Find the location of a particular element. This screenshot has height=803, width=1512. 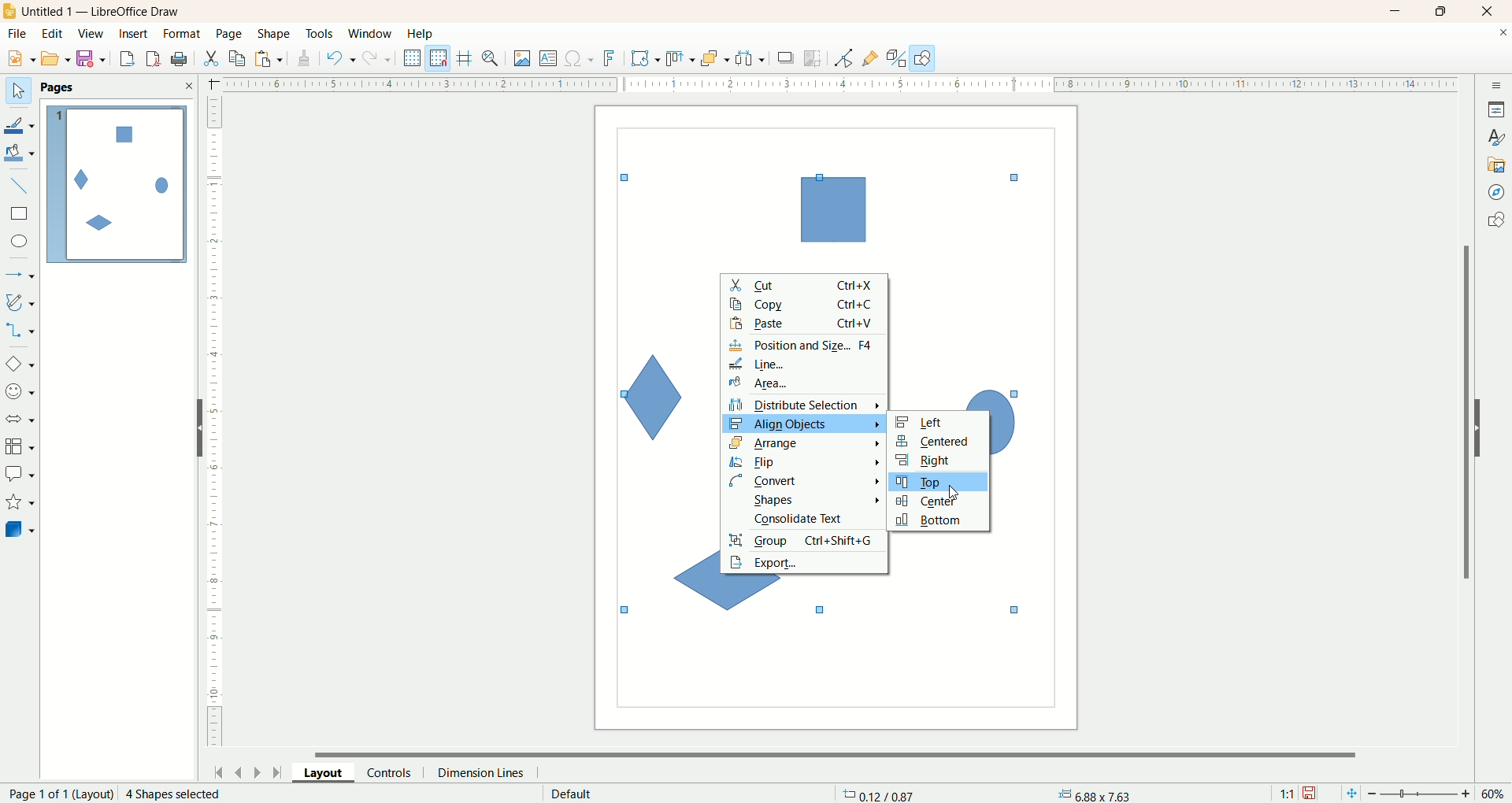

curves and polygon is located at coordinates (21, 302).